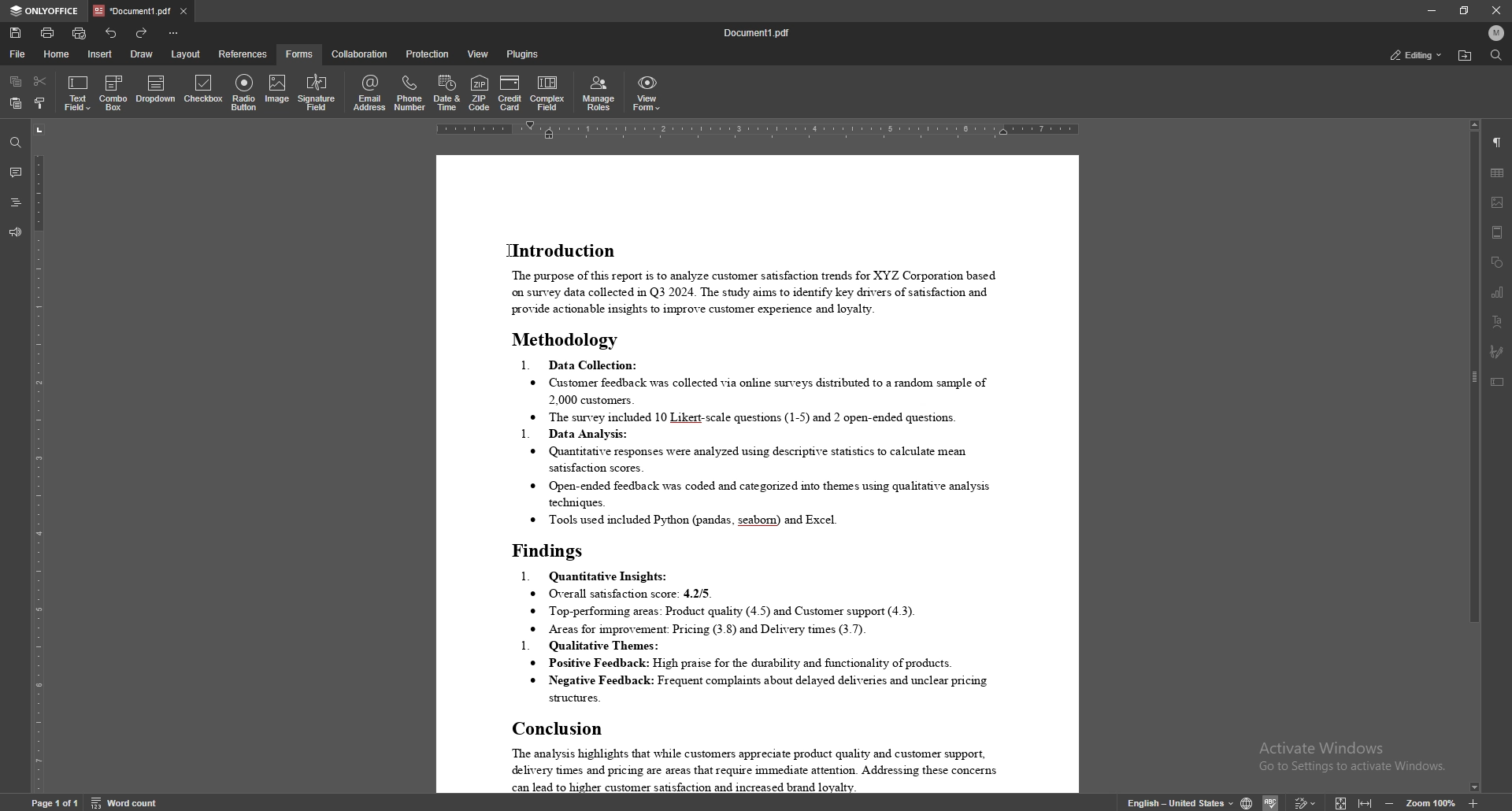 This screenshot has width=1512, height=811. Describe the element at coordinates (35, 457) in the screenshot. I see `vertical scale` at that location.